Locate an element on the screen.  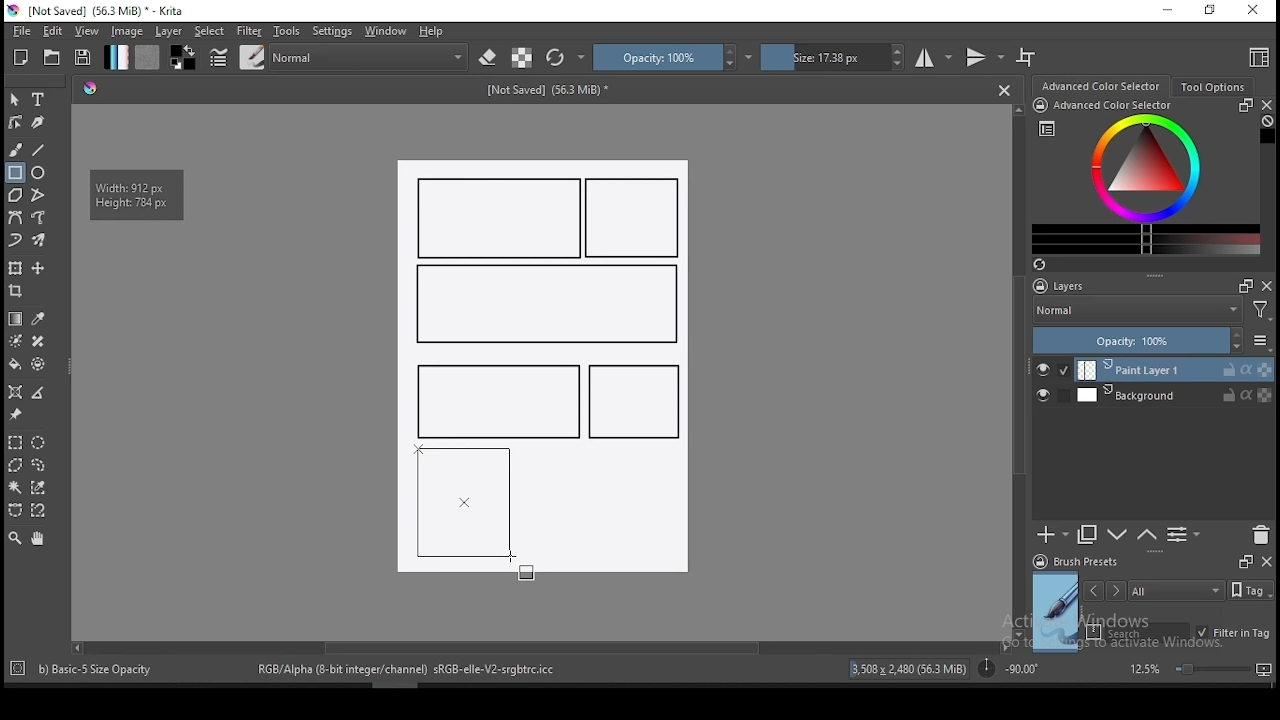
crop tool is located at coordinates (18, 293).